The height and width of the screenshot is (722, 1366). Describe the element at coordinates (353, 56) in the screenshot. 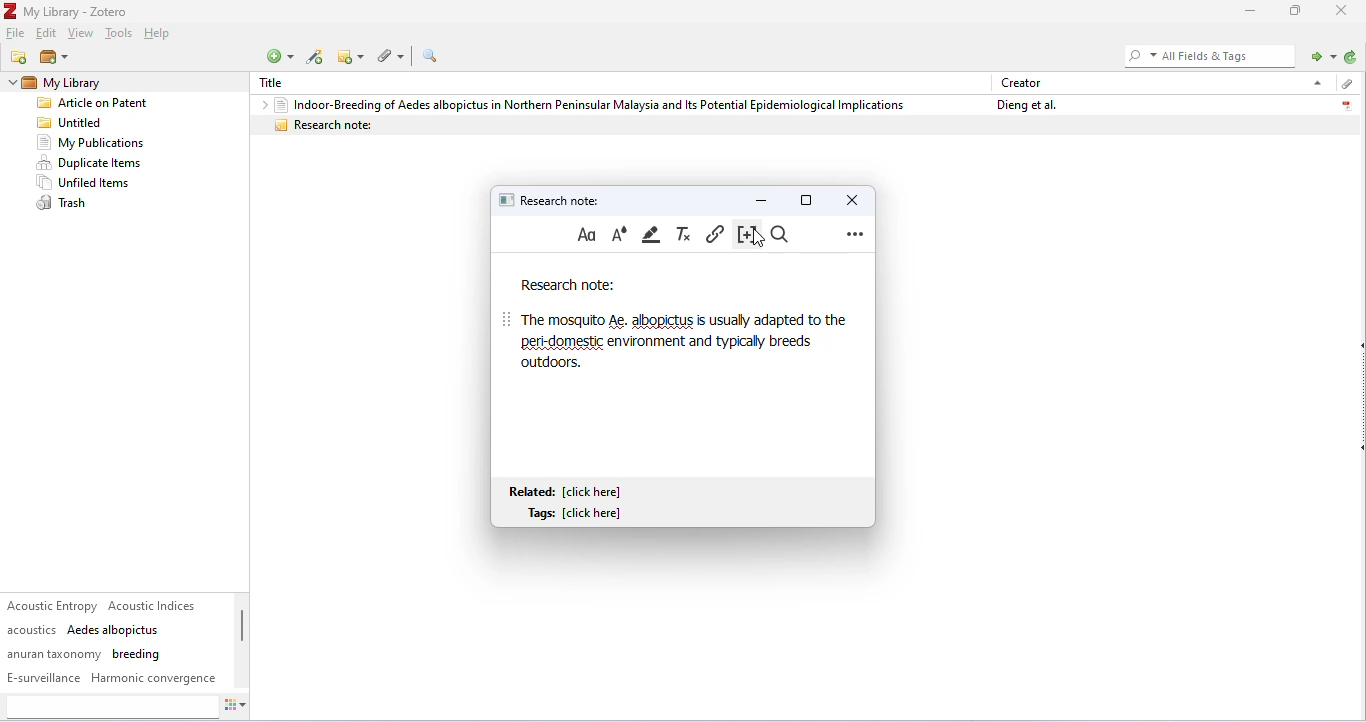

I see `new note` at that location.